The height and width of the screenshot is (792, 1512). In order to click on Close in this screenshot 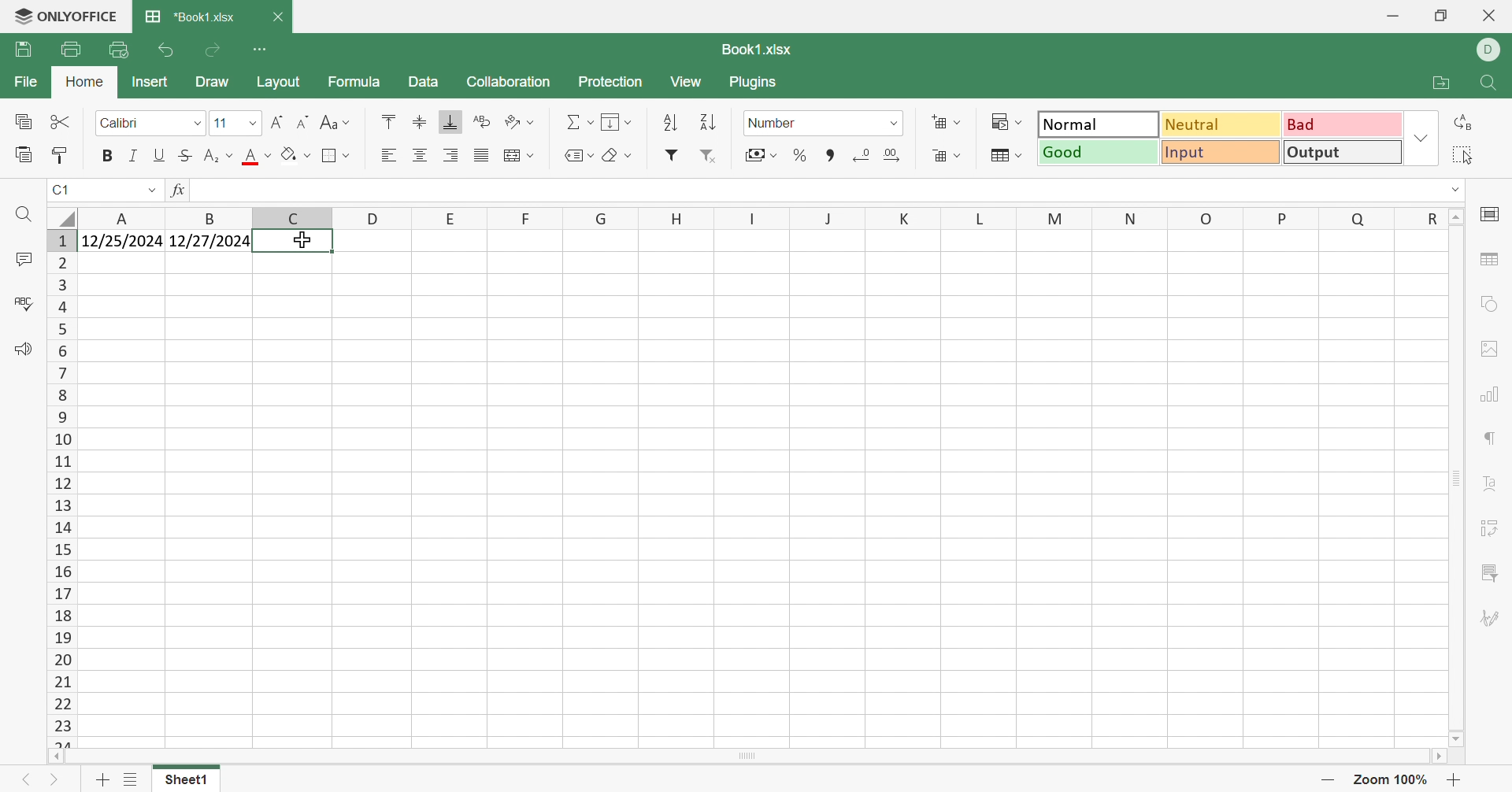, I will do `click(281, 16)`.